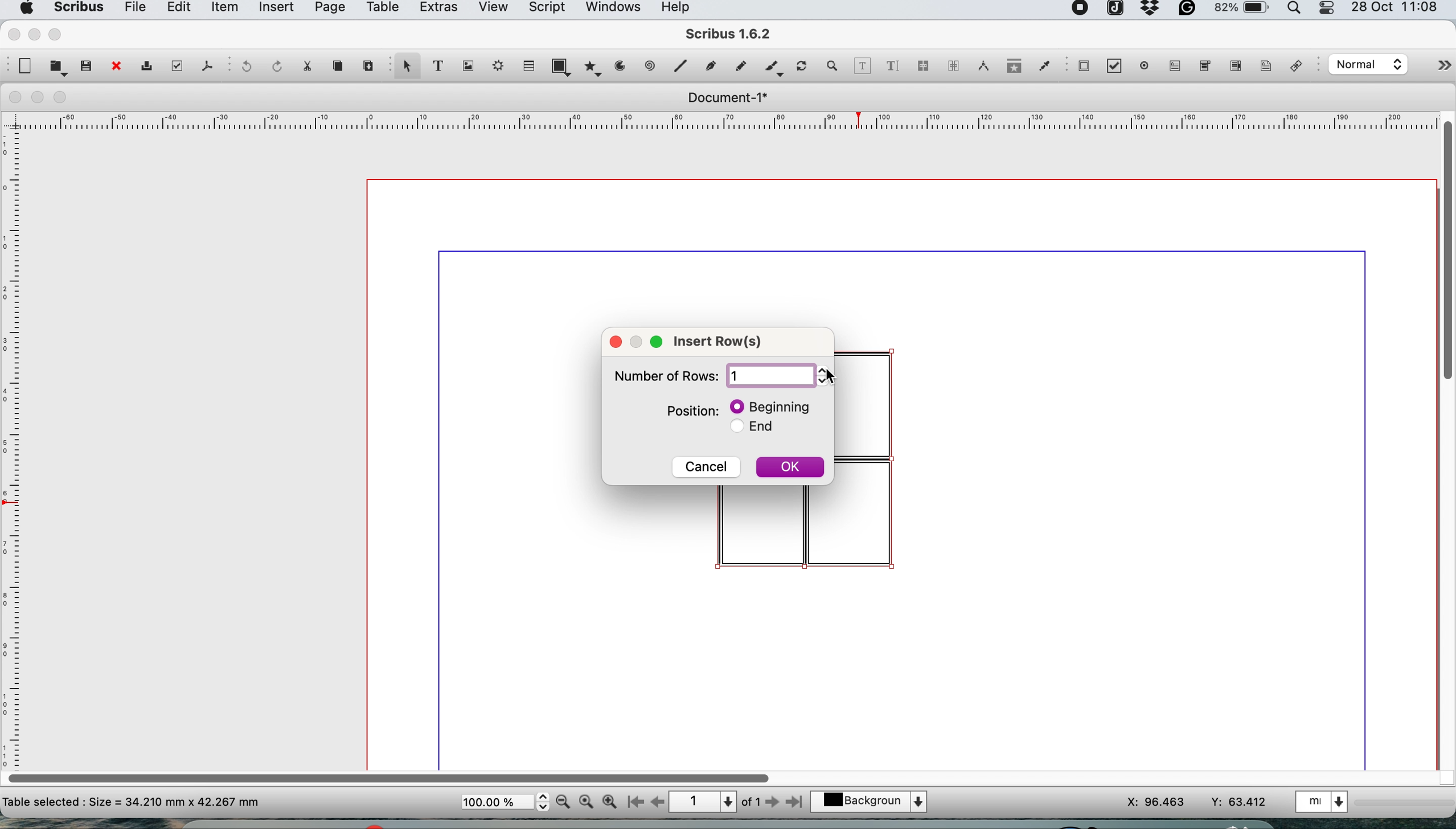  Describe the element at coordinates (663, 379) in the screenshot. I see `Number of rows ` at that location.